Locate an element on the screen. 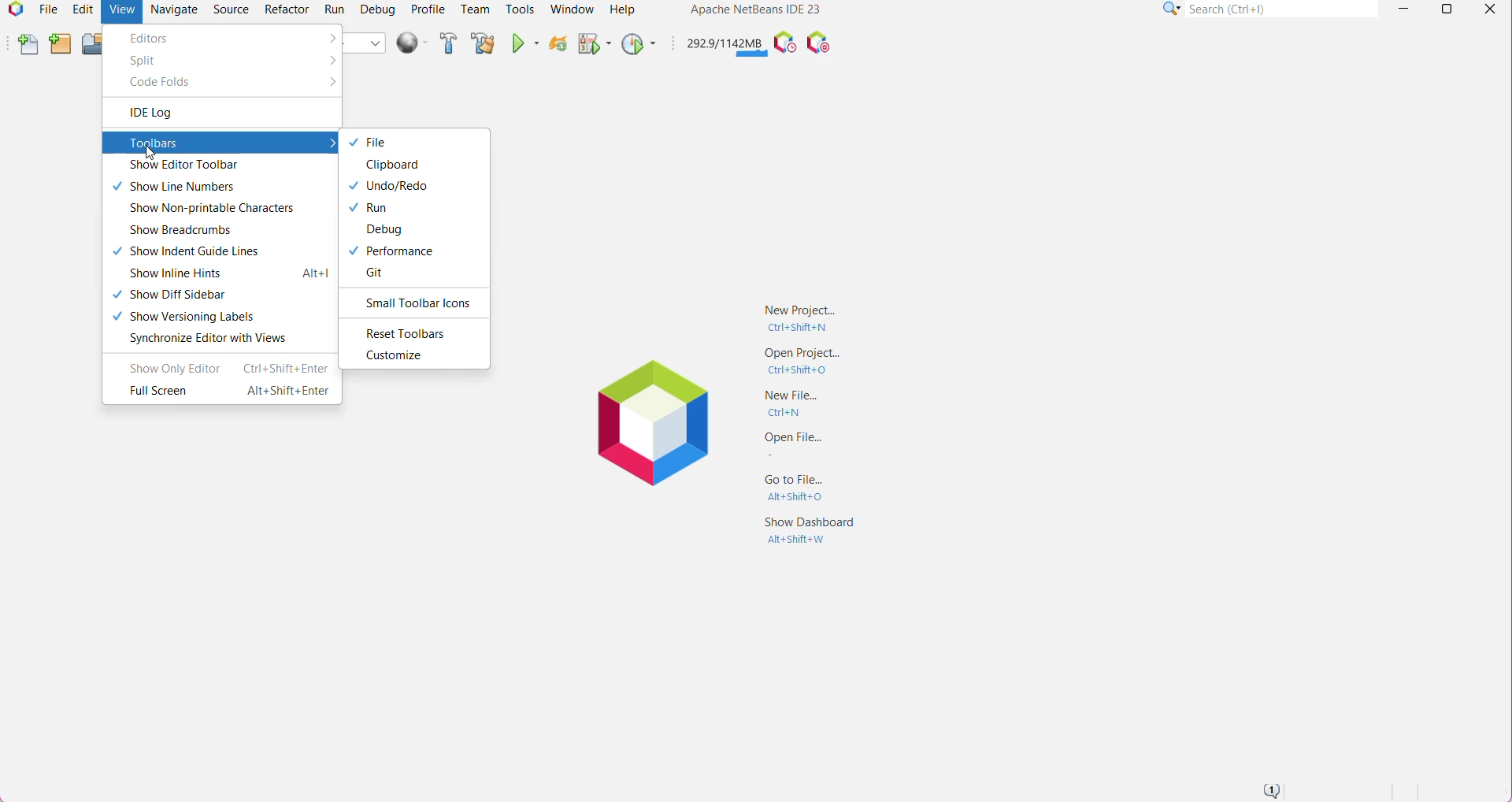  Pause I/O Checks is located at coordinates (817, 43).